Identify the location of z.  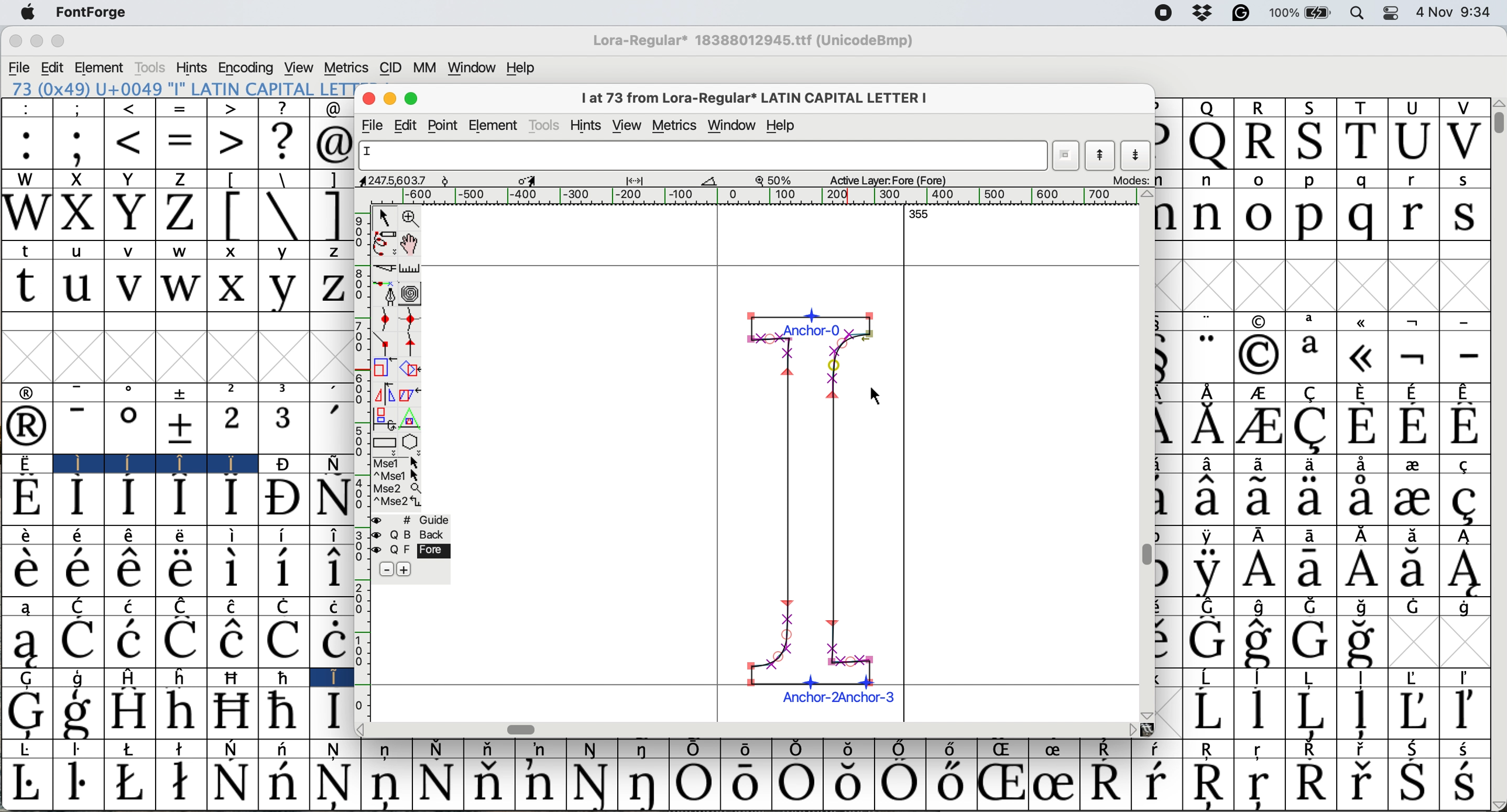
(330, 253).